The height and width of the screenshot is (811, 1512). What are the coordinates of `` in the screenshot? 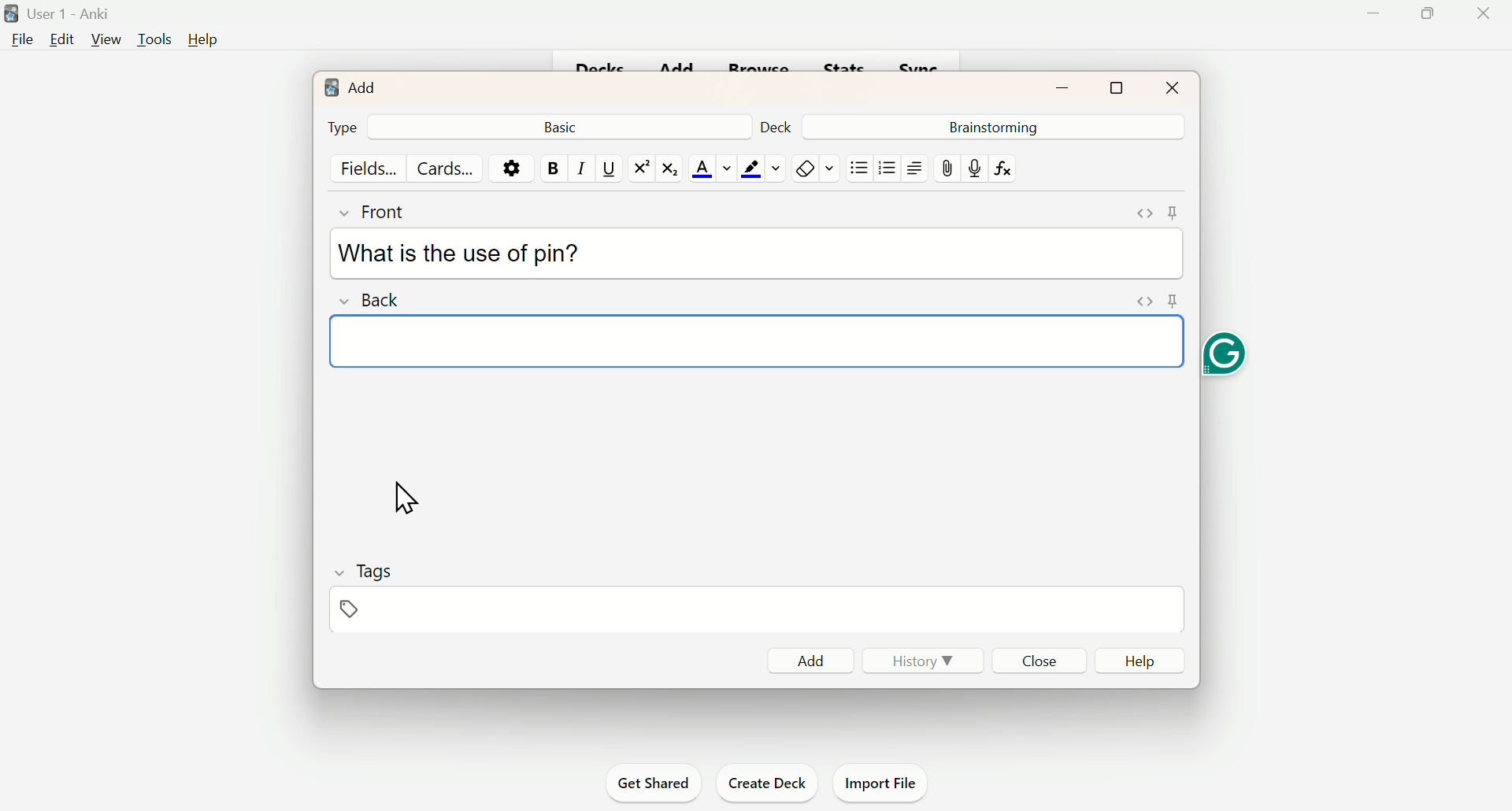 It's located at (151, 36).